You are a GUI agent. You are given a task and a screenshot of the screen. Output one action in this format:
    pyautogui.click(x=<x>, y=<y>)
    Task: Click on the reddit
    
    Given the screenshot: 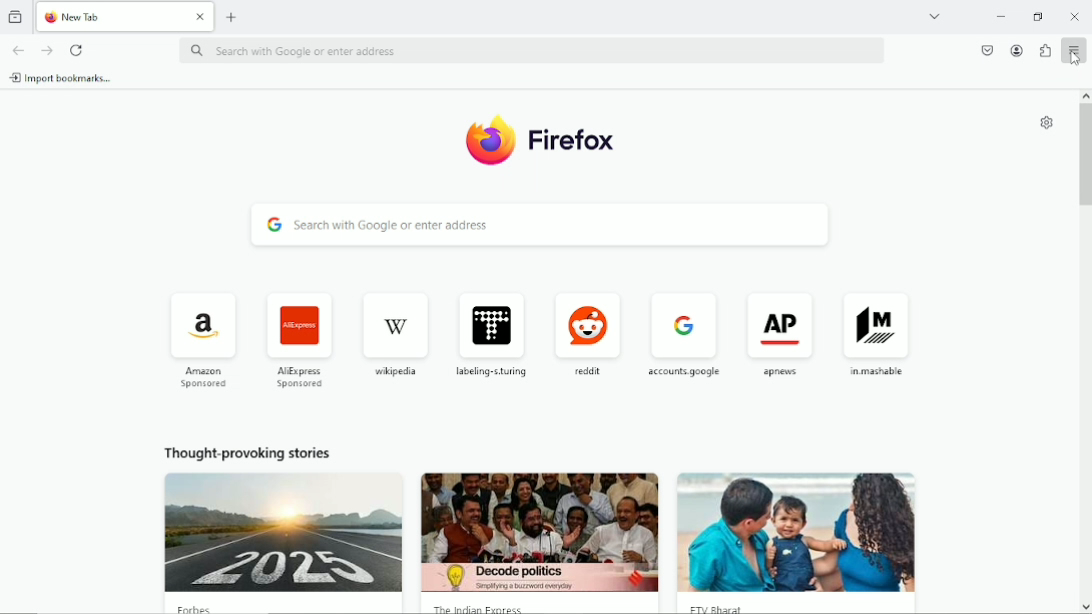 What is the action you would take?
    pyautogui.click(x=588, y=332)
    